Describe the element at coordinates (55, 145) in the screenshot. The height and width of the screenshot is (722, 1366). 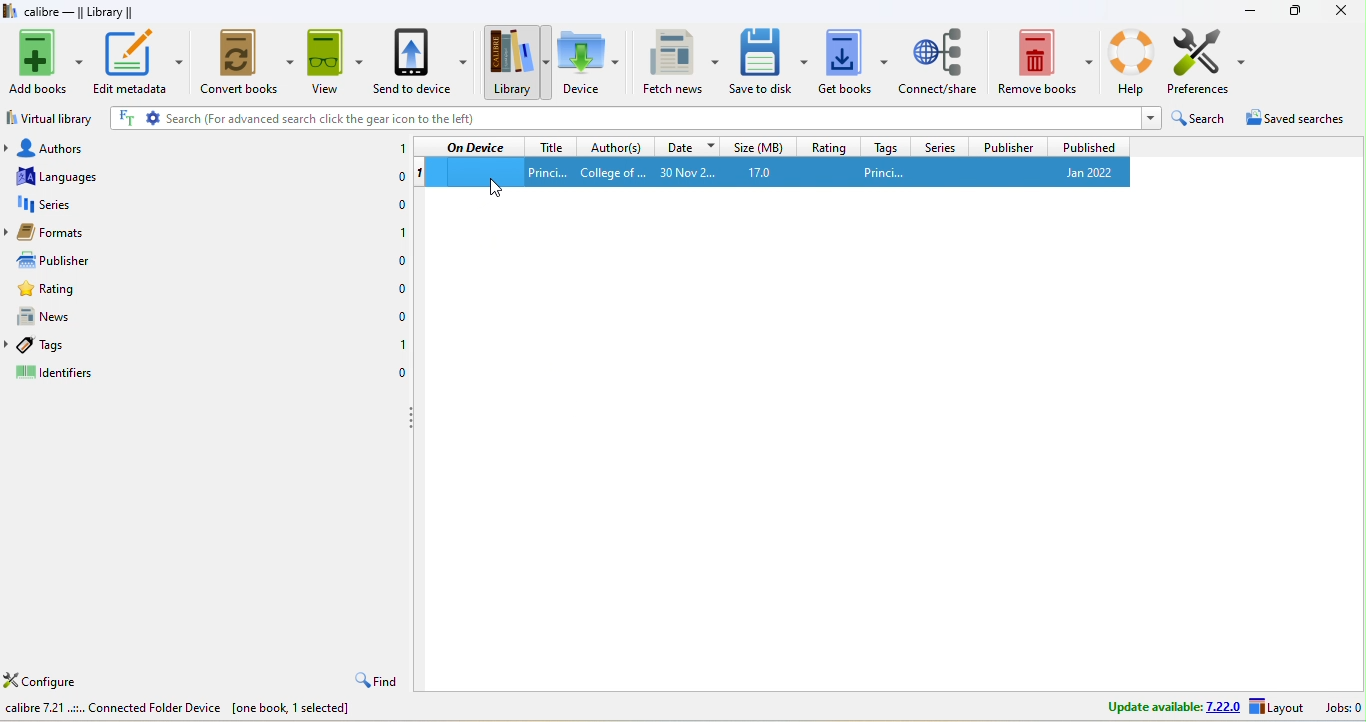
I see `authors` at that location.